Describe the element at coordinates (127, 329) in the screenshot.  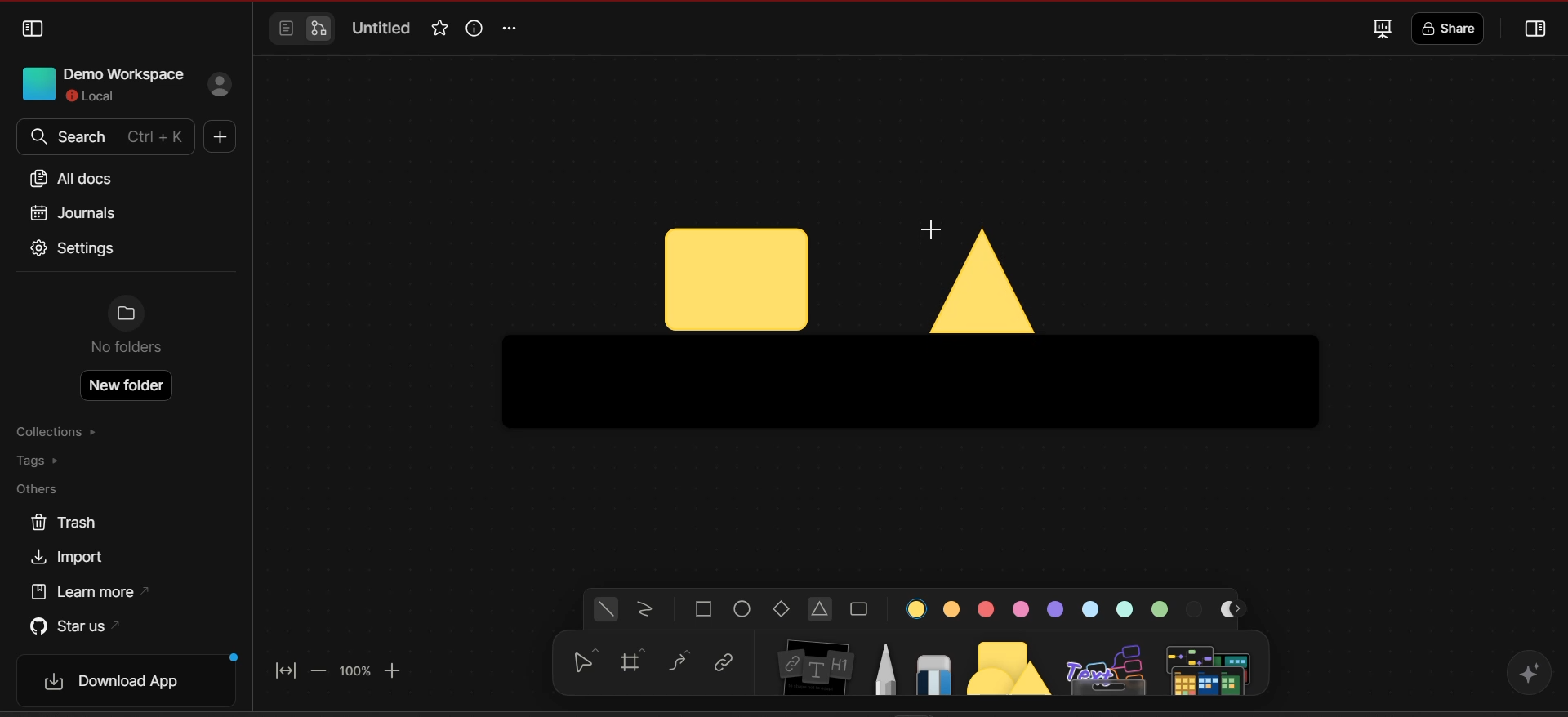
I see `No folder` at that location.